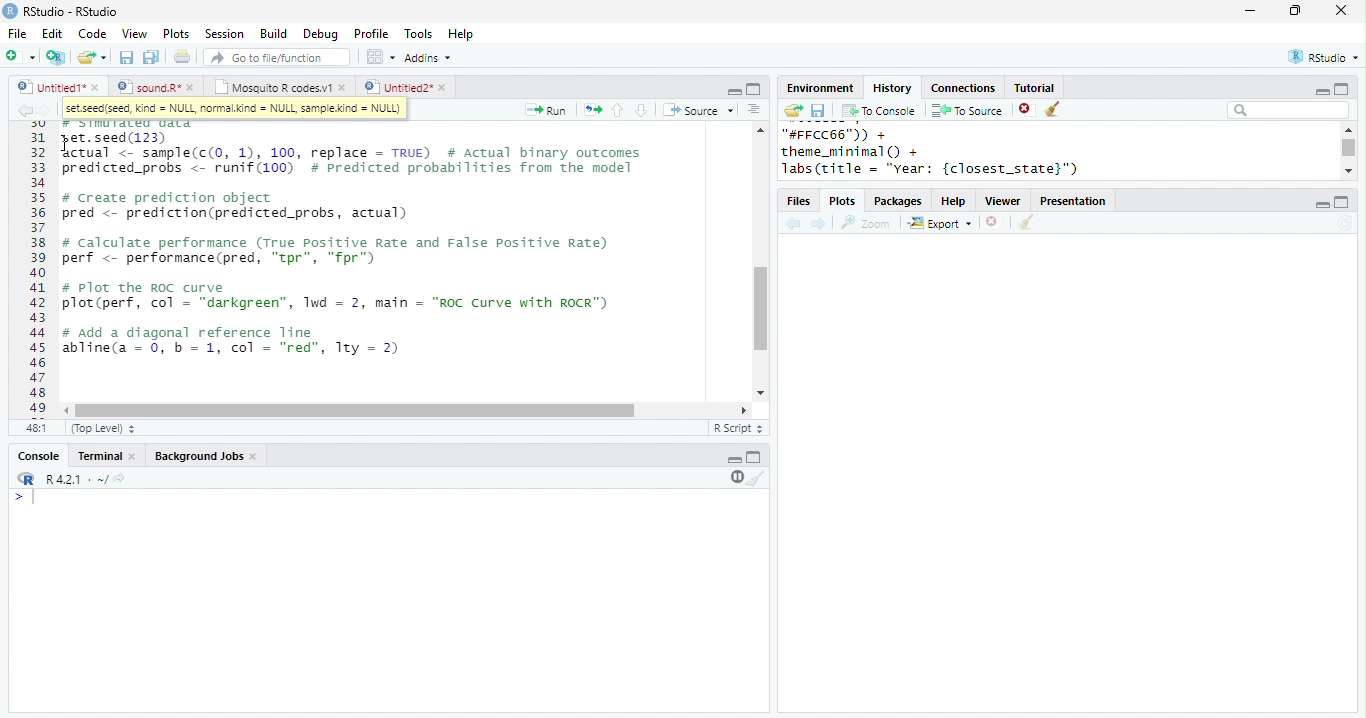 The width and height of the screenshot is (1366, 718). What do you see at coordinates (36, 427) in the screenshot?
I see `48:1` at bounding box center [36, 427].